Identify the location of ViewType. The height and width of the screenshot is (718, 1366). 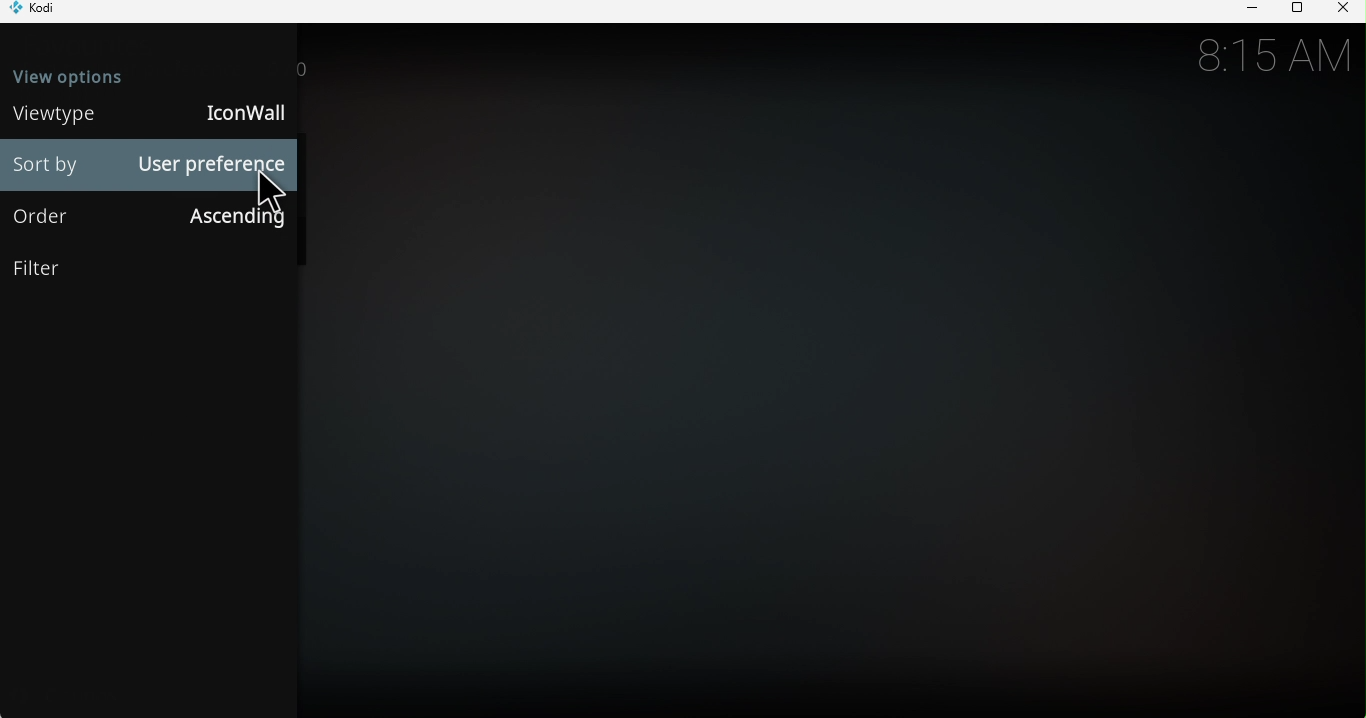
(50, 115).